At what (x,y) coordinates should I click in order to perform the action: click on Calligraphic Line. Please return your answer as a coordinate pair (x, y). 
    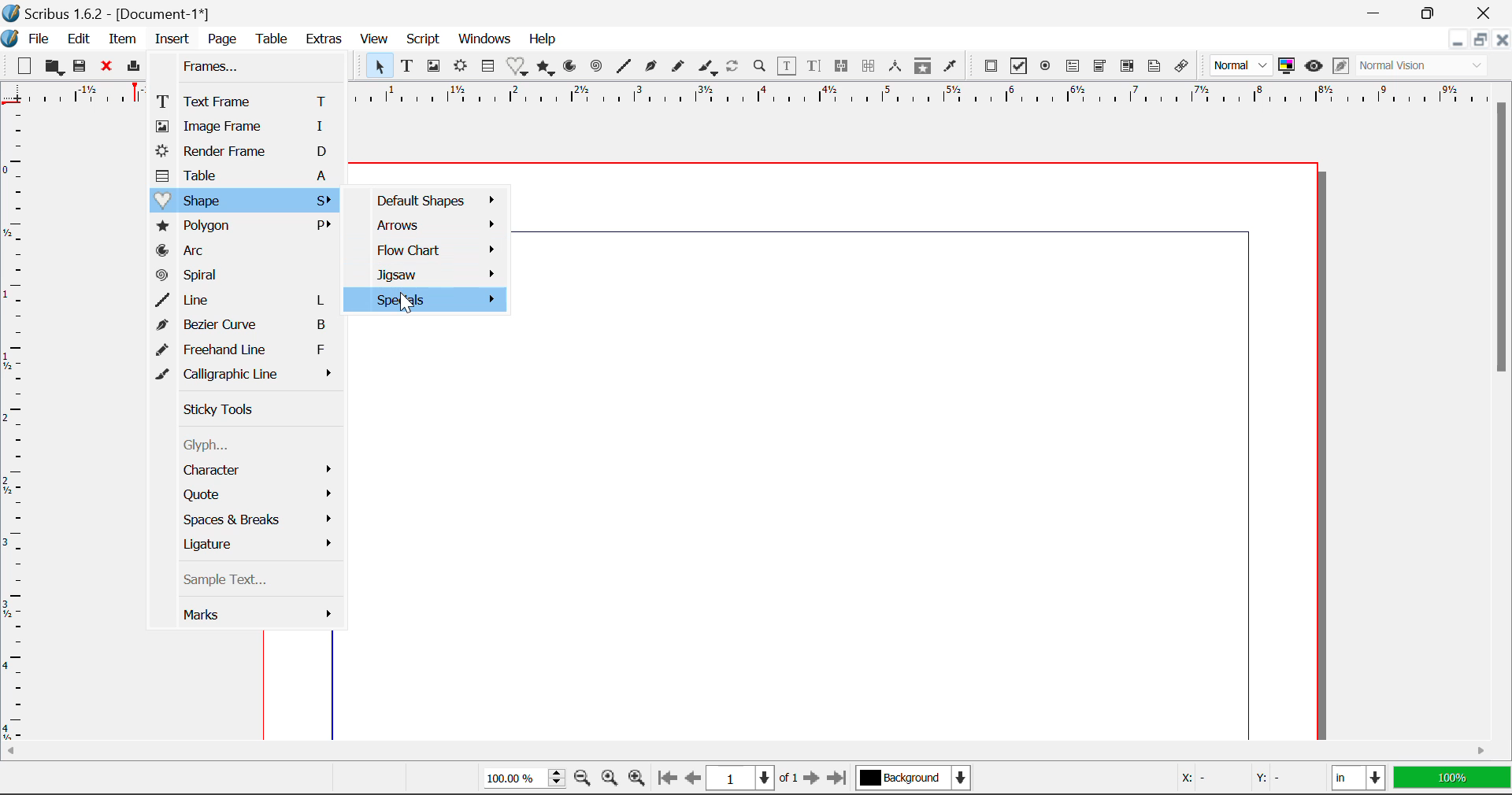
    Looking at the image, I should click on (249, 376).